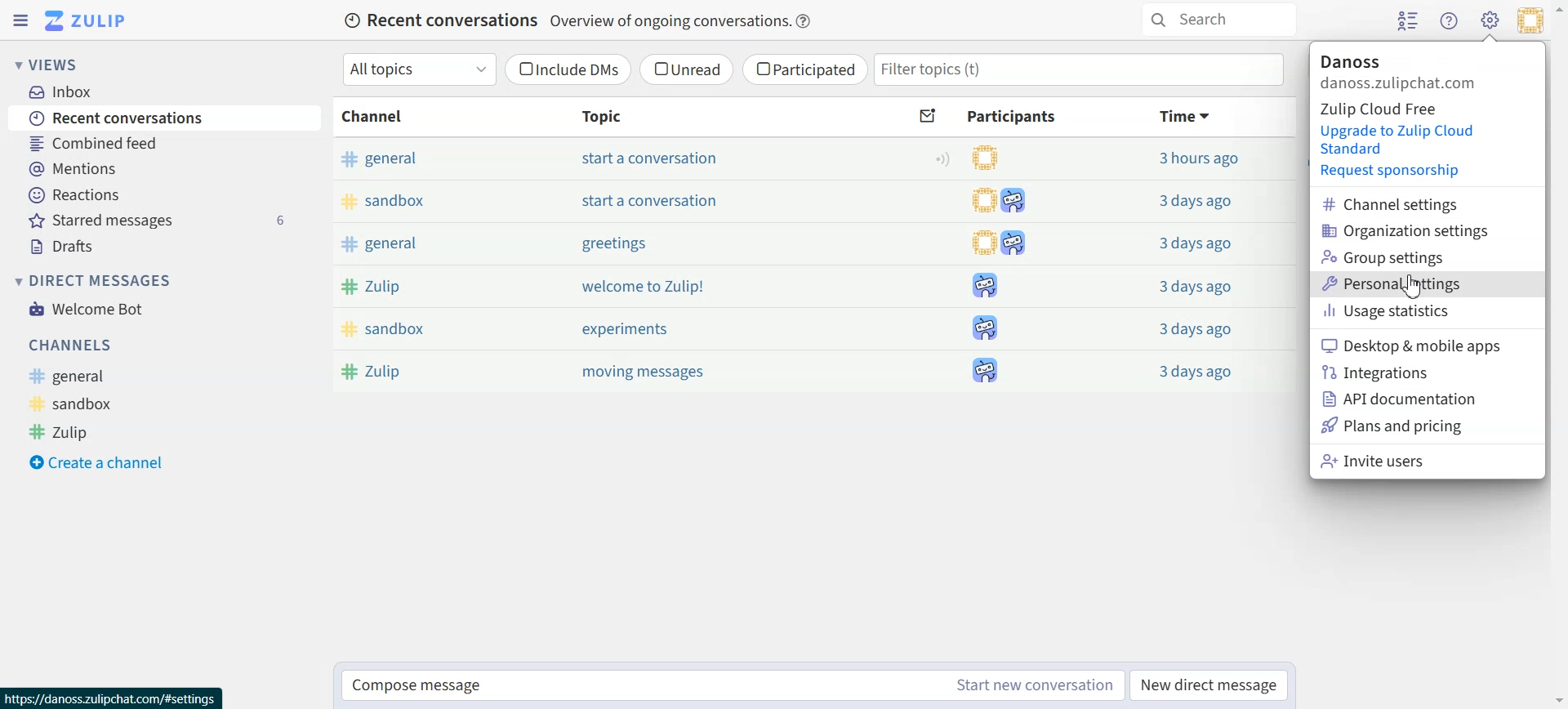  What do you see at coordinates (1401, 256) in the screenshot?
I see `Group settings` at bounding box center [1401, 256].